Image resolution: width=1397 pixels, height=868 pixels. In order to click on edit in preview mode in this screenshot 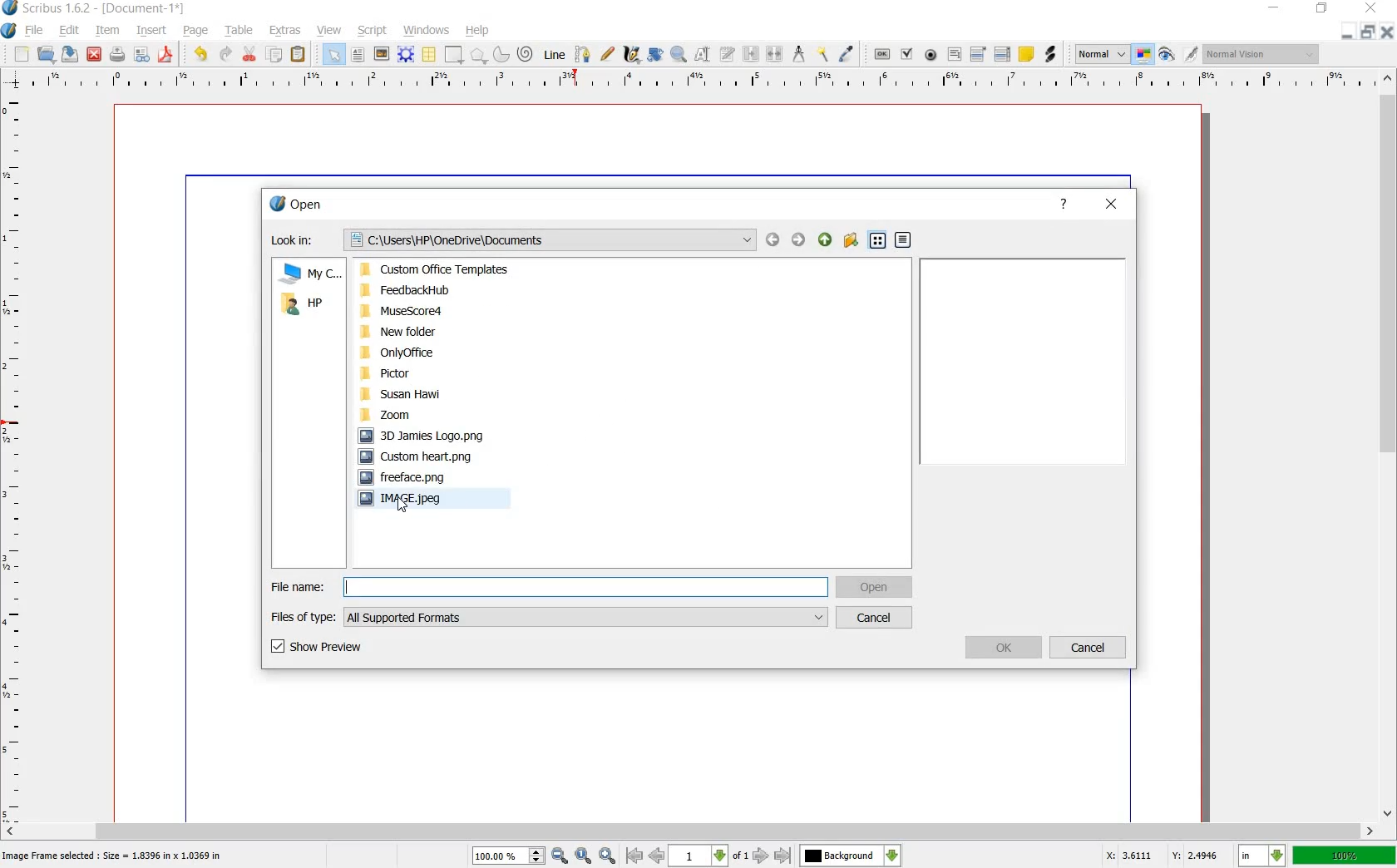, I will do `click(1177, 55)`.